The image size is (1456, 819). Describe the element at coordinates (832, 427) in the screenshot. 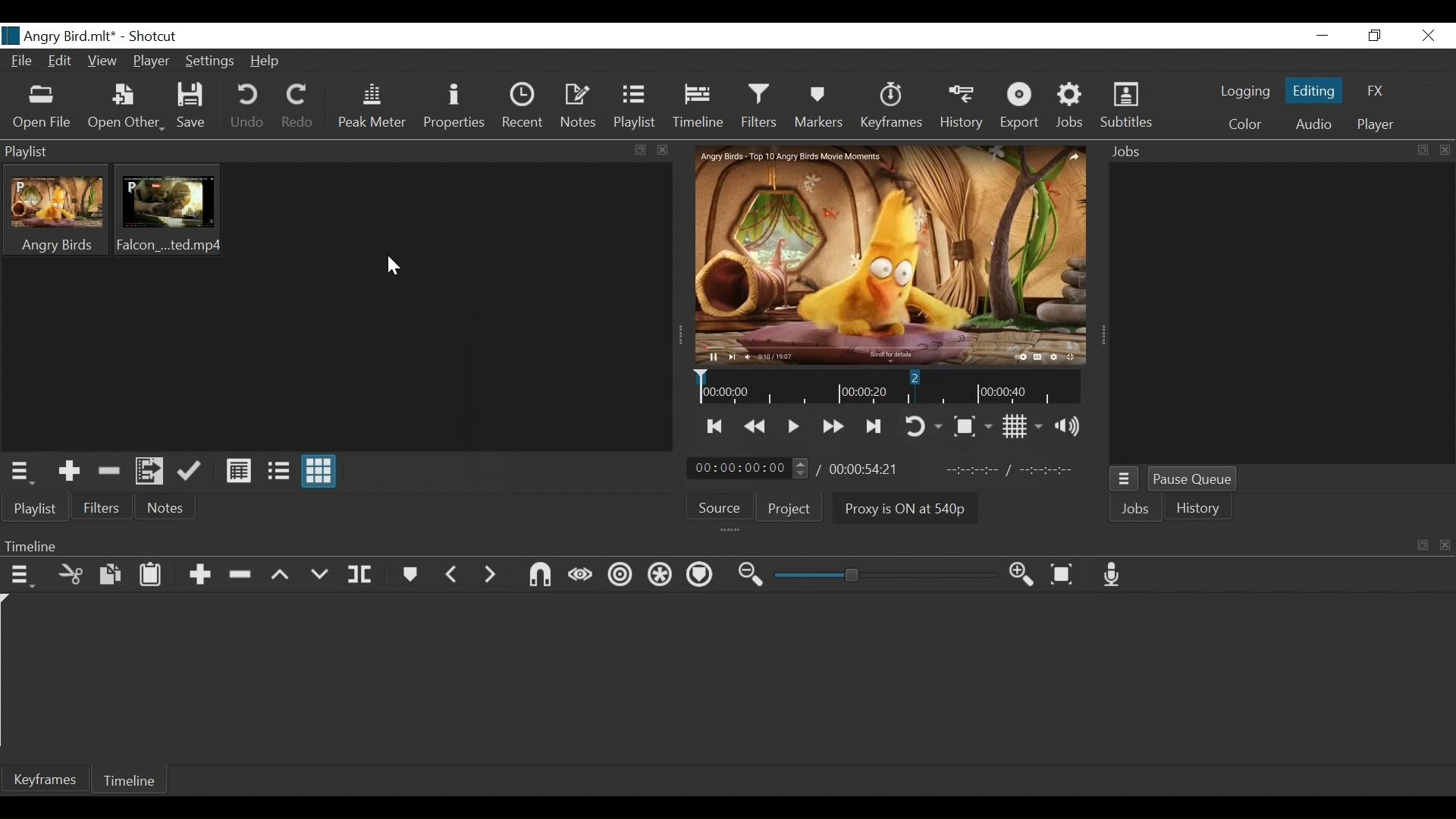

I see `Play forward quickly` at that location.